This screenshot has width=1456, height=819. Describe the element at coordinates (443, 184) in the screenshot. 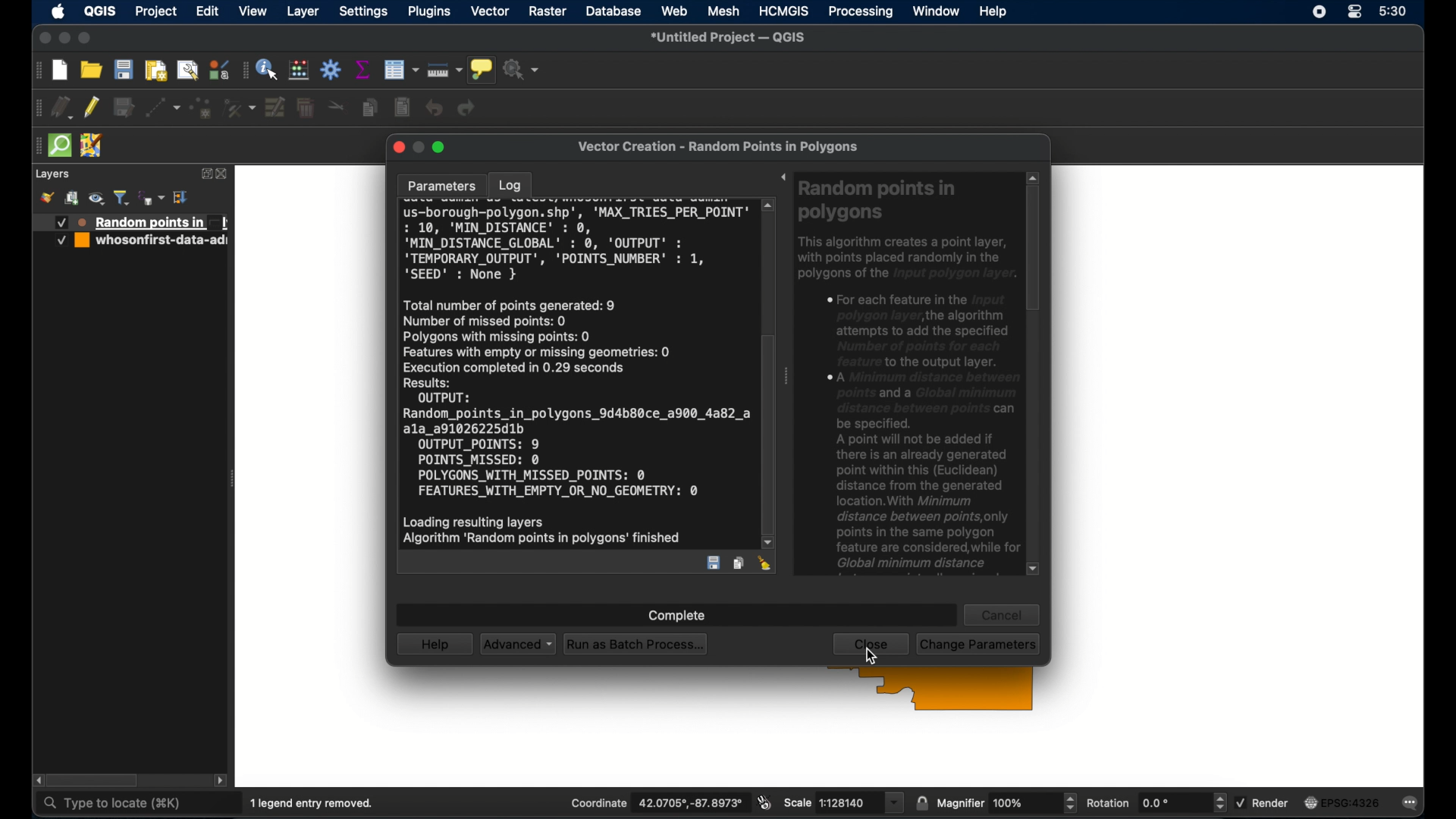

I see `parameters` at that location.